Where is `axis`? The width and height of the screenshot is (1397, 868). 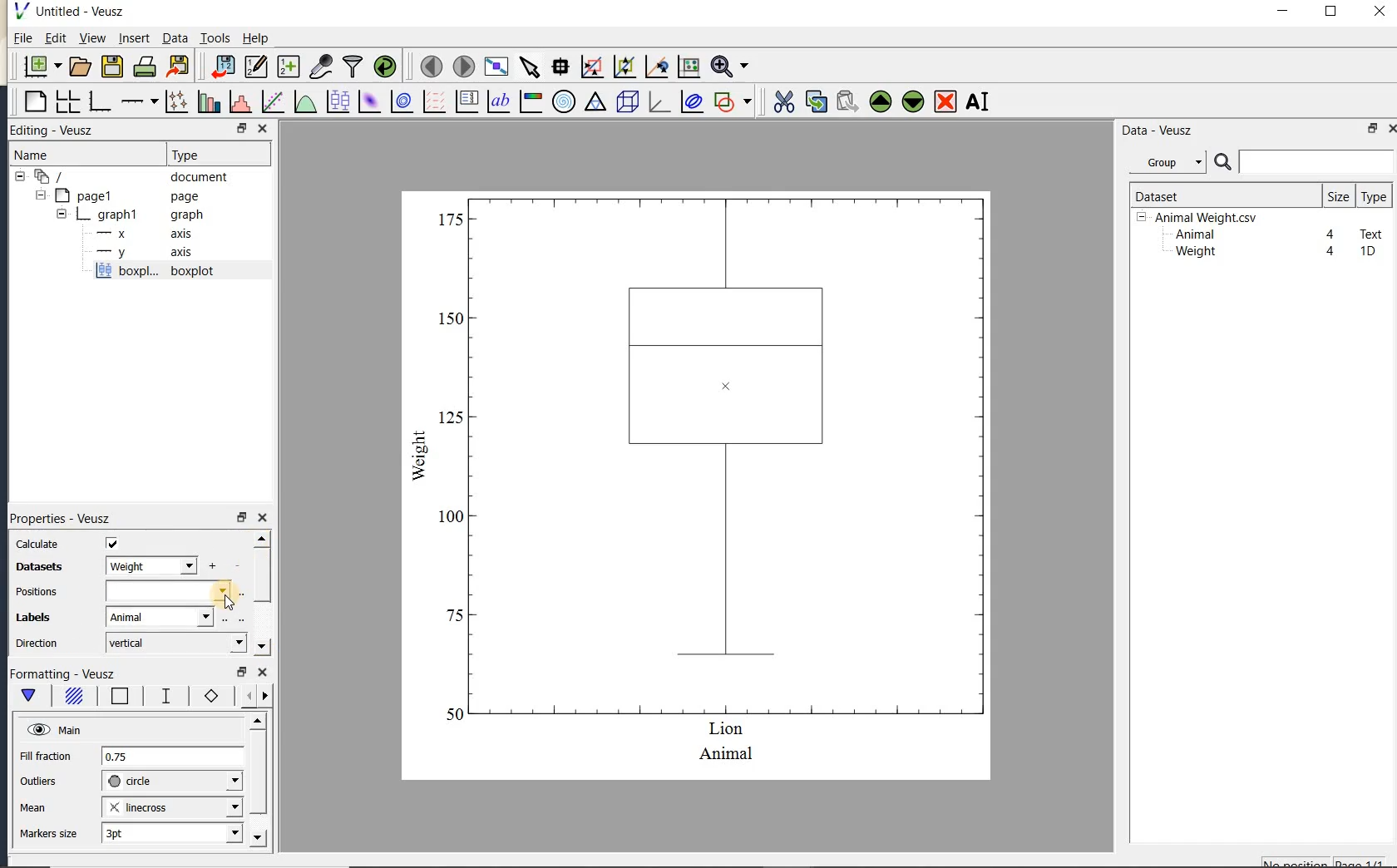
axis is located at coordinates (141, 253).